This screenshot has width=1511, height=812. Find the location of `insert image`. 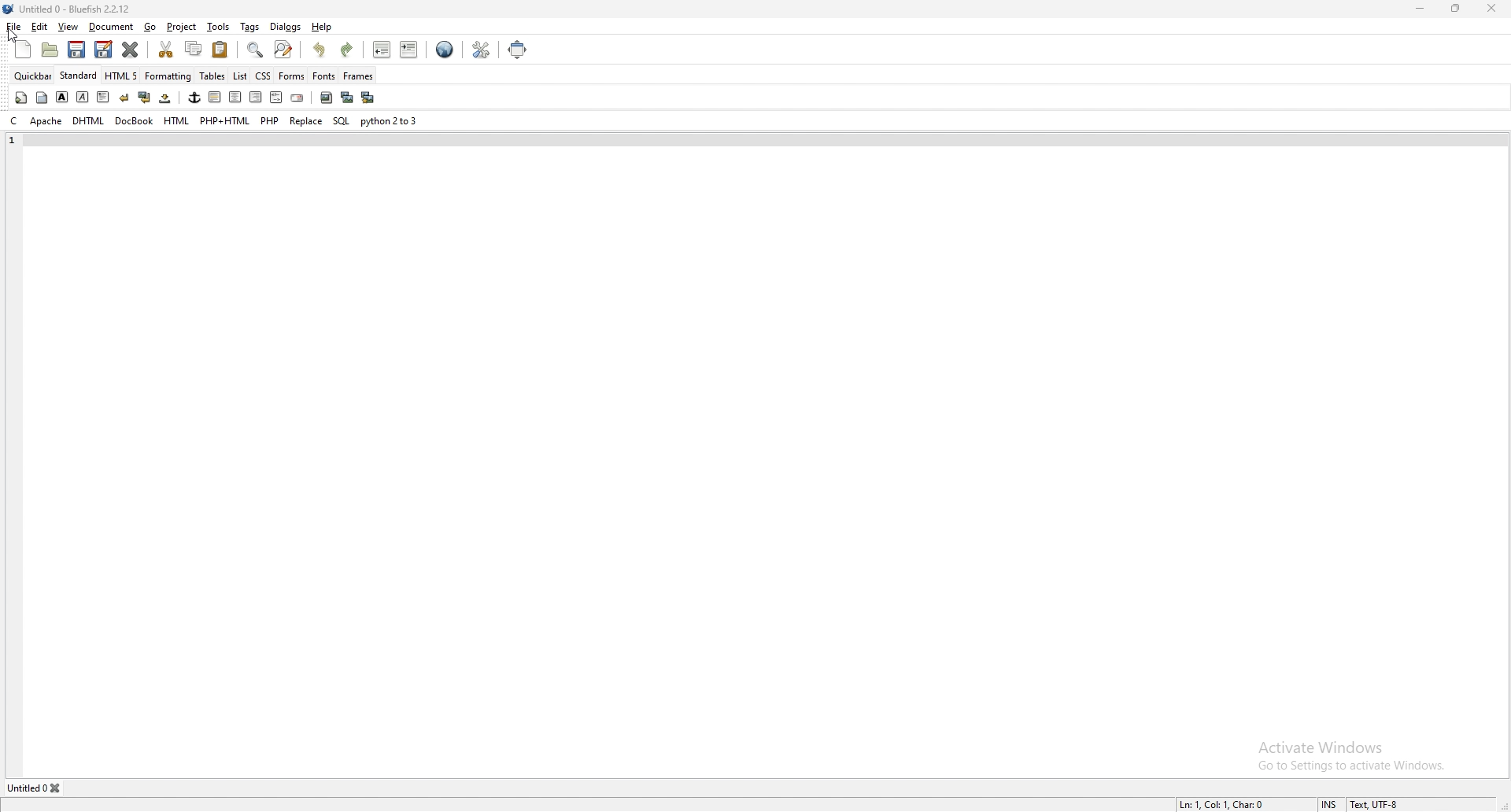

insert image is located at coordinates (327, 98).